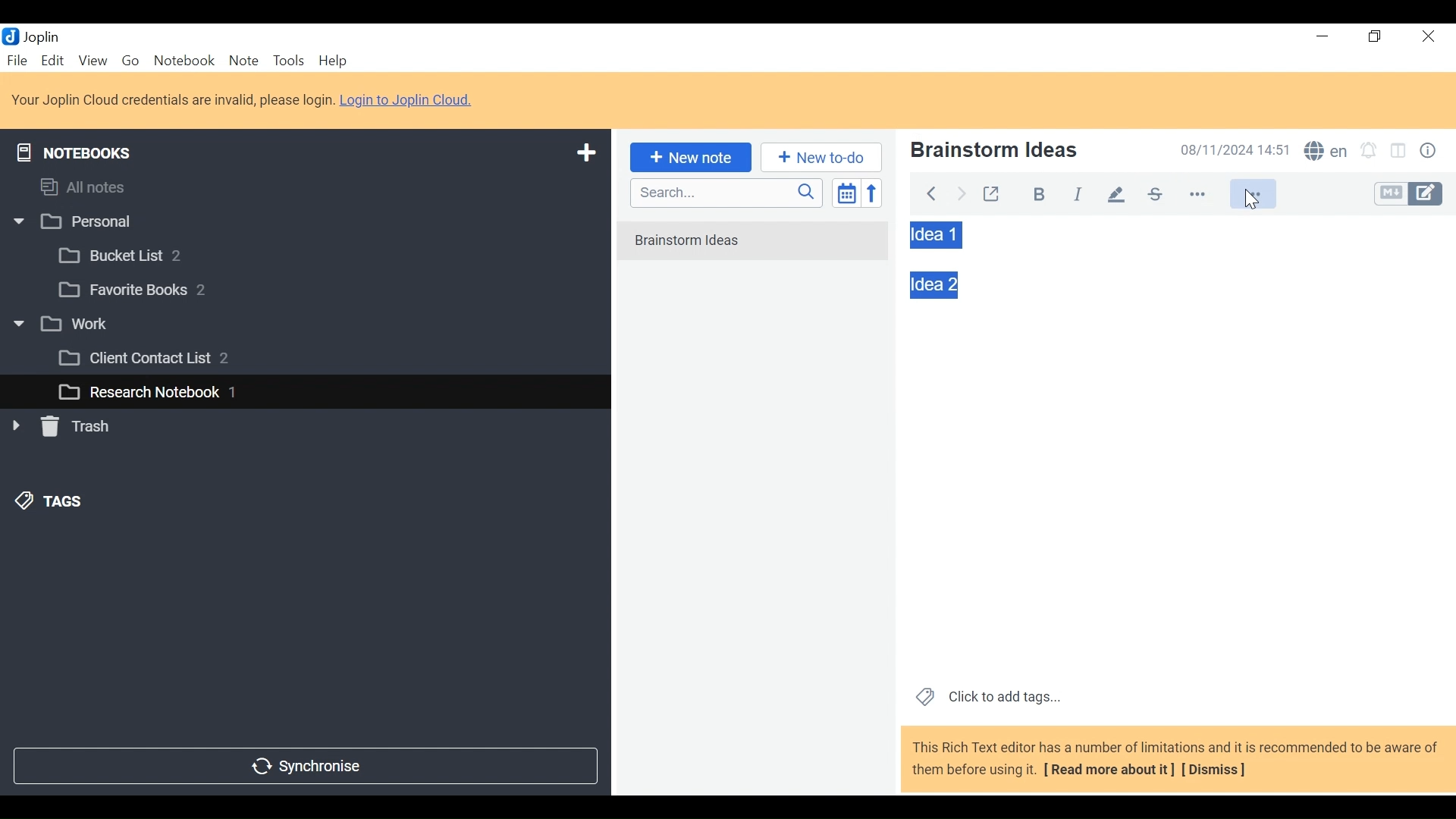 The width and height of the screenshot is (1456, 819). What do you see at coordinates (166, 362) in the screenshot?
I see `[3 Client Contact List 2` at bounding box center [166, 362].